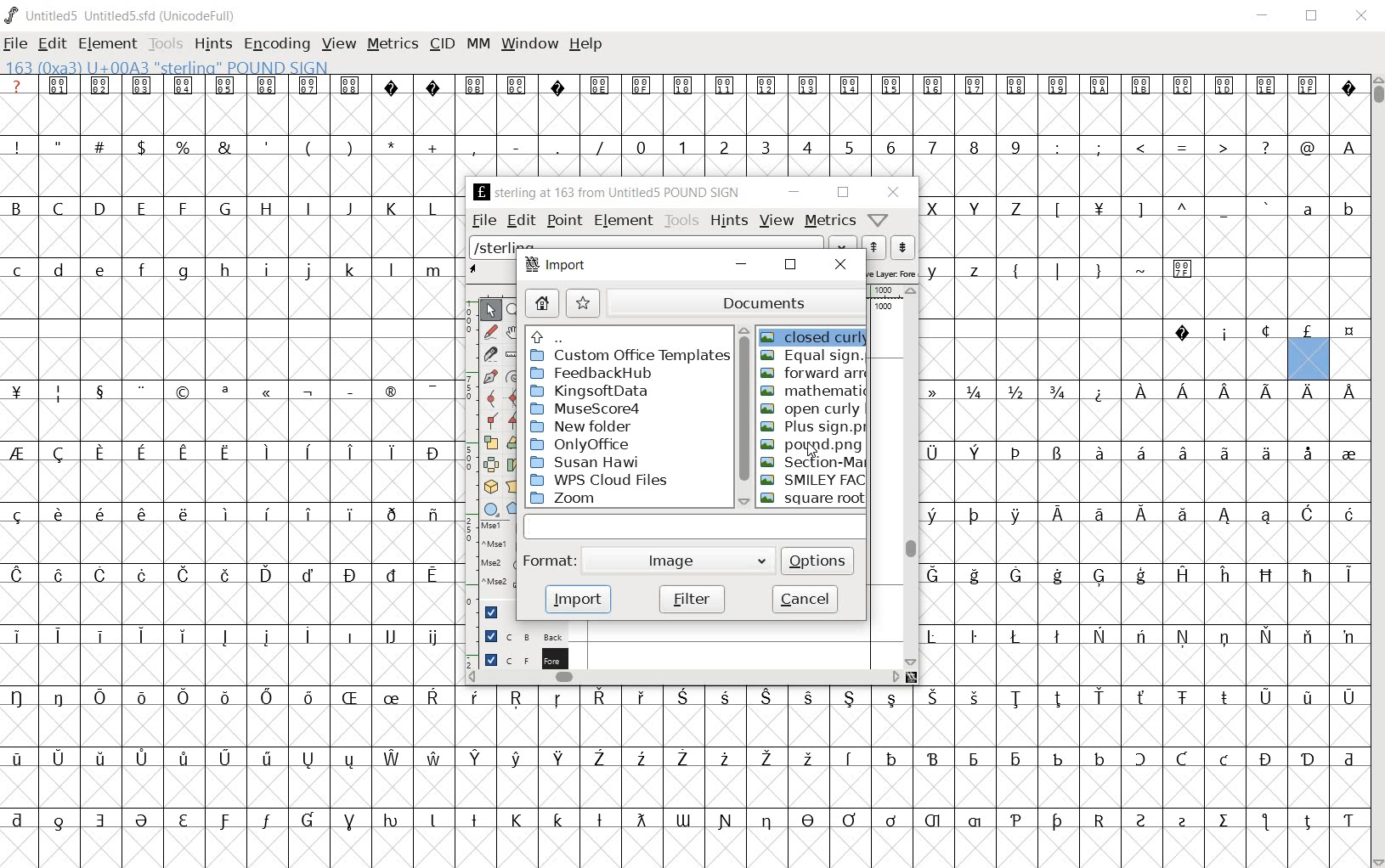 The image size is (1385, 868). I want to click on search box, so click(695, 526).